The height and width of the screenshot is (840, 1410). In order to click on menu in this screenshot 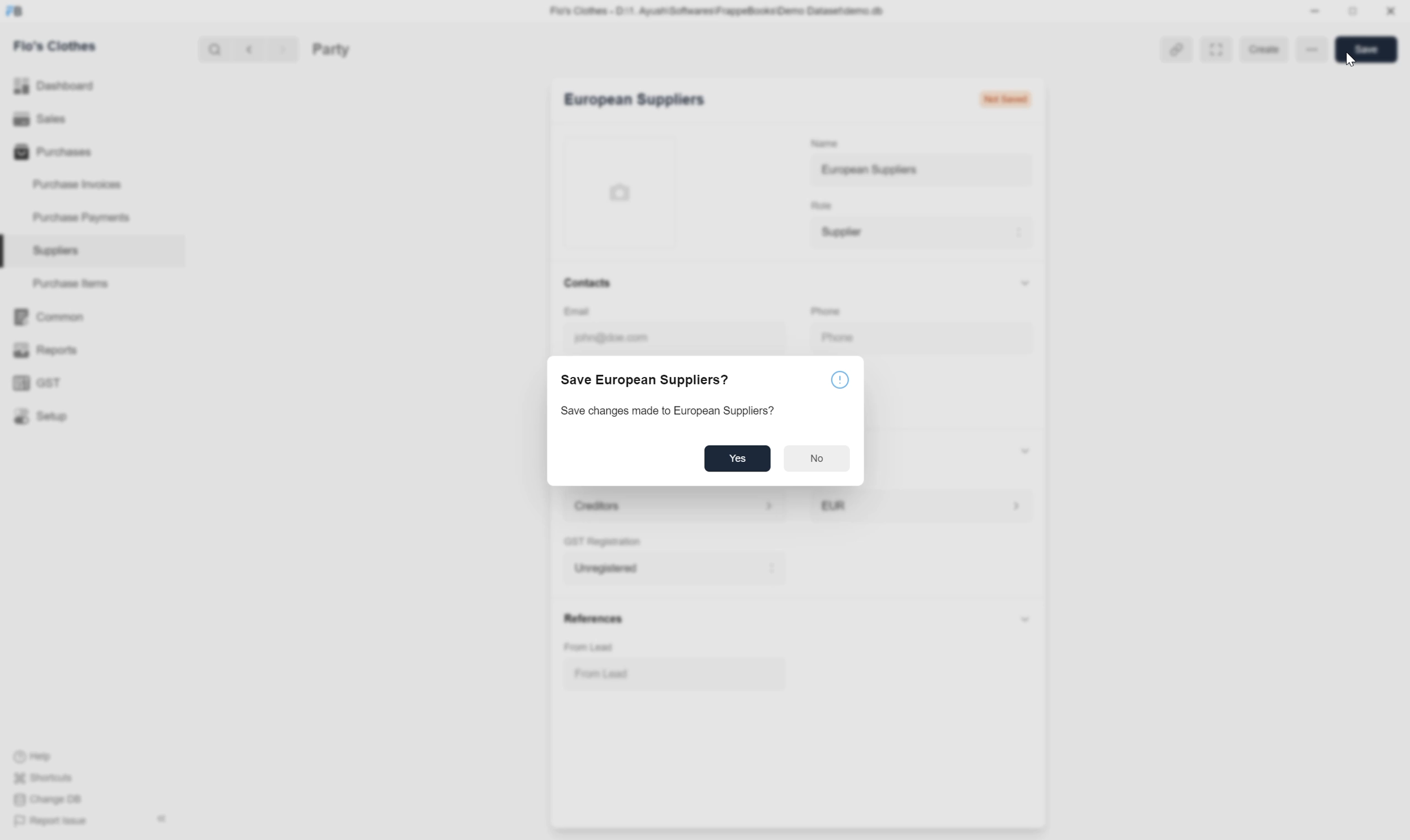, I will do `click(1314, 47)`.